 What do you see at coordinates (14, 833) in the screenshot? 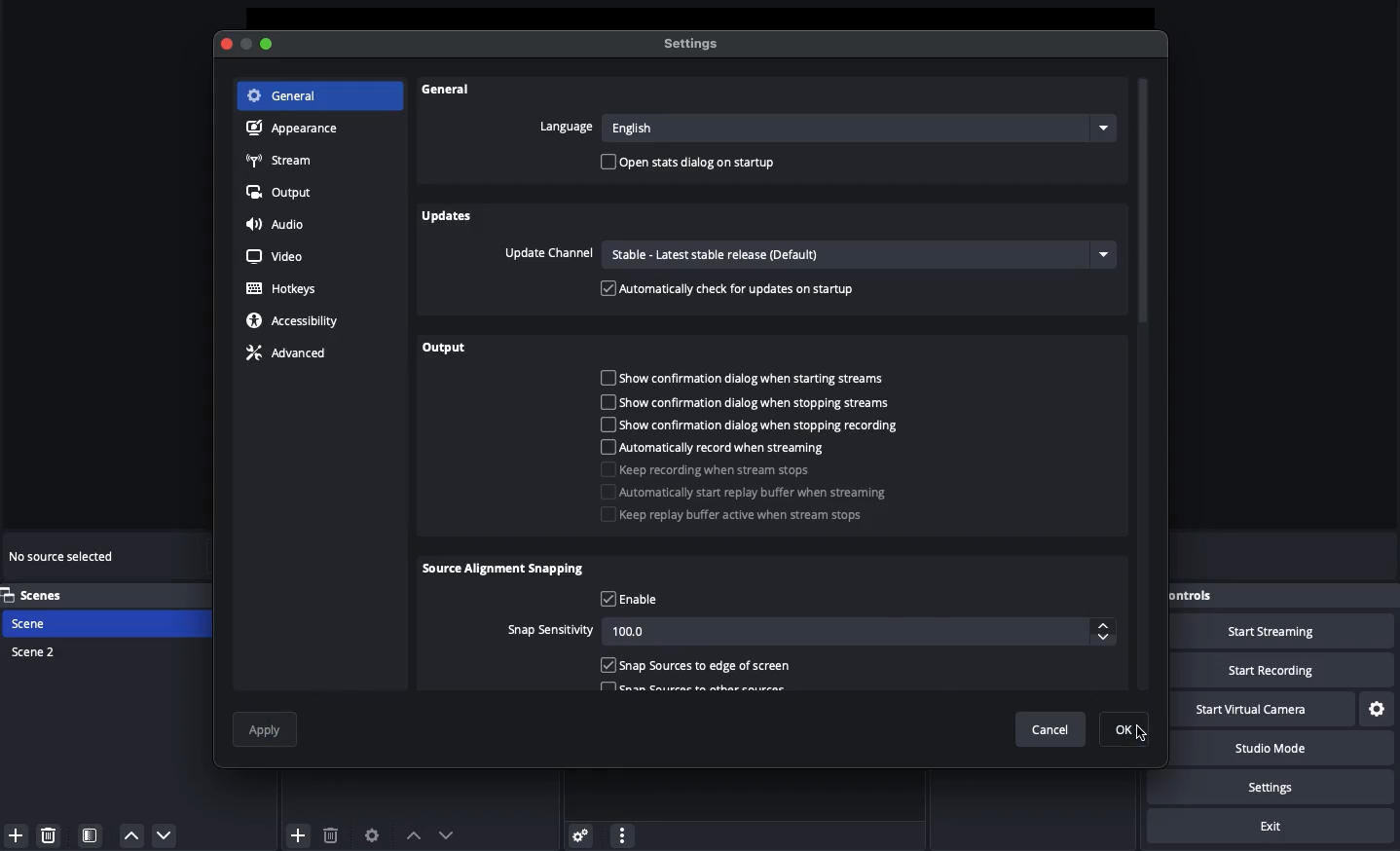
I see `Add` at bounding box center [14, 833].